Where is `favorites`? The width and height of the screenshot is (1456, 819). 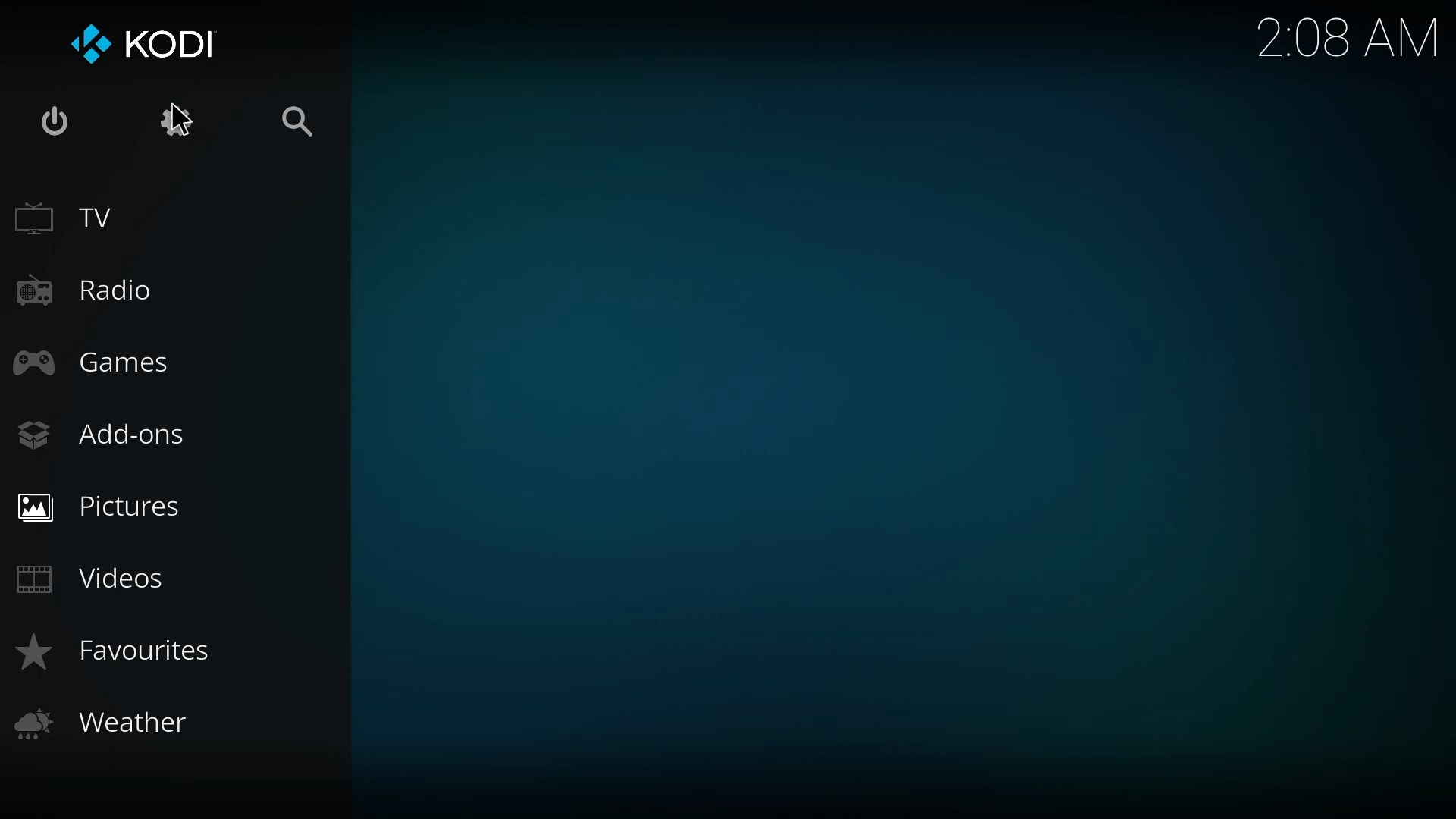 favorites is located at coordinates (111, 651).